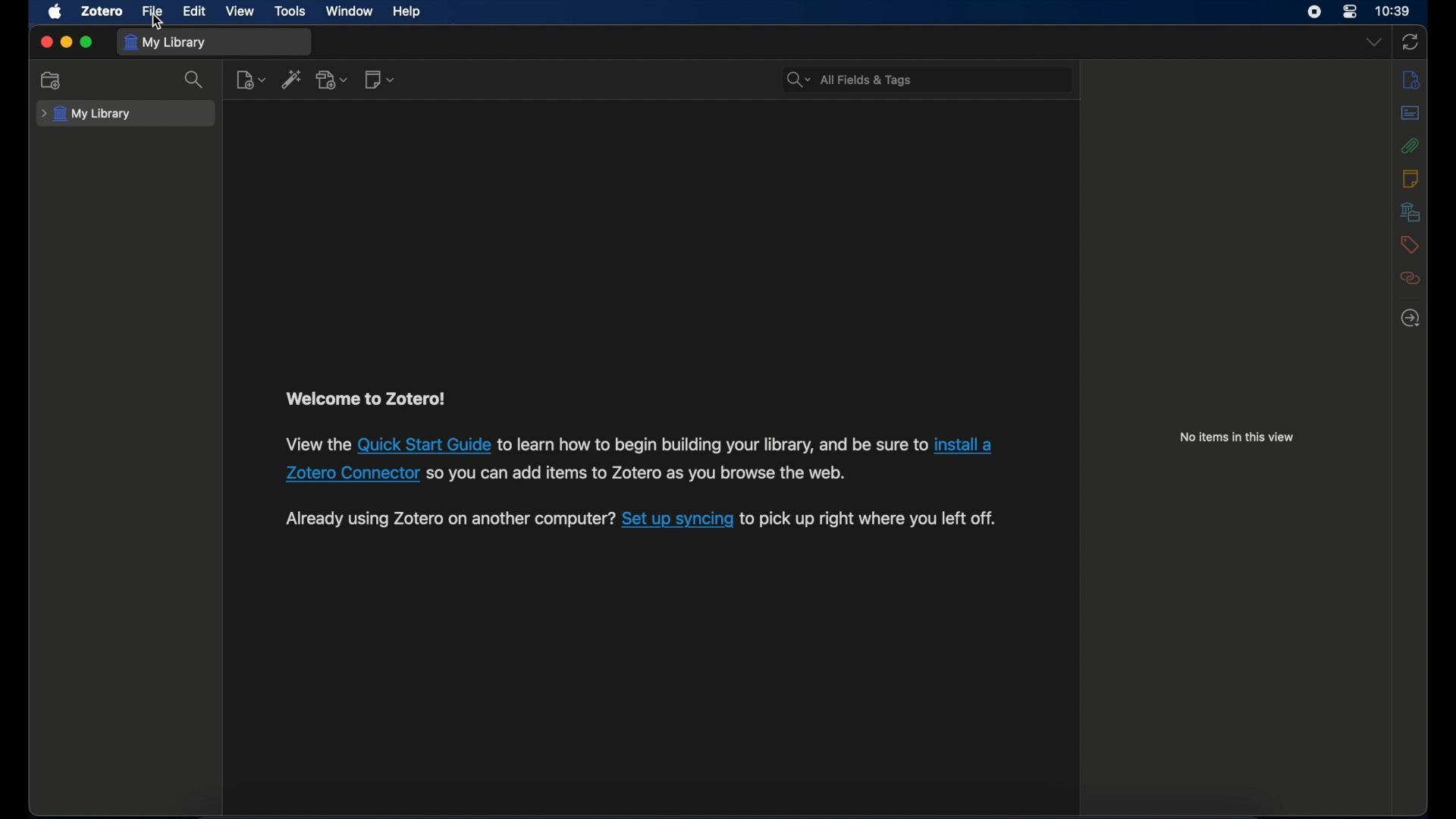 This screenshot has height=819, width=1456. What do you see at coordinates (364, 399) in the screenshot?
I see `welcome to zotero` at bounding box center [364, 399].